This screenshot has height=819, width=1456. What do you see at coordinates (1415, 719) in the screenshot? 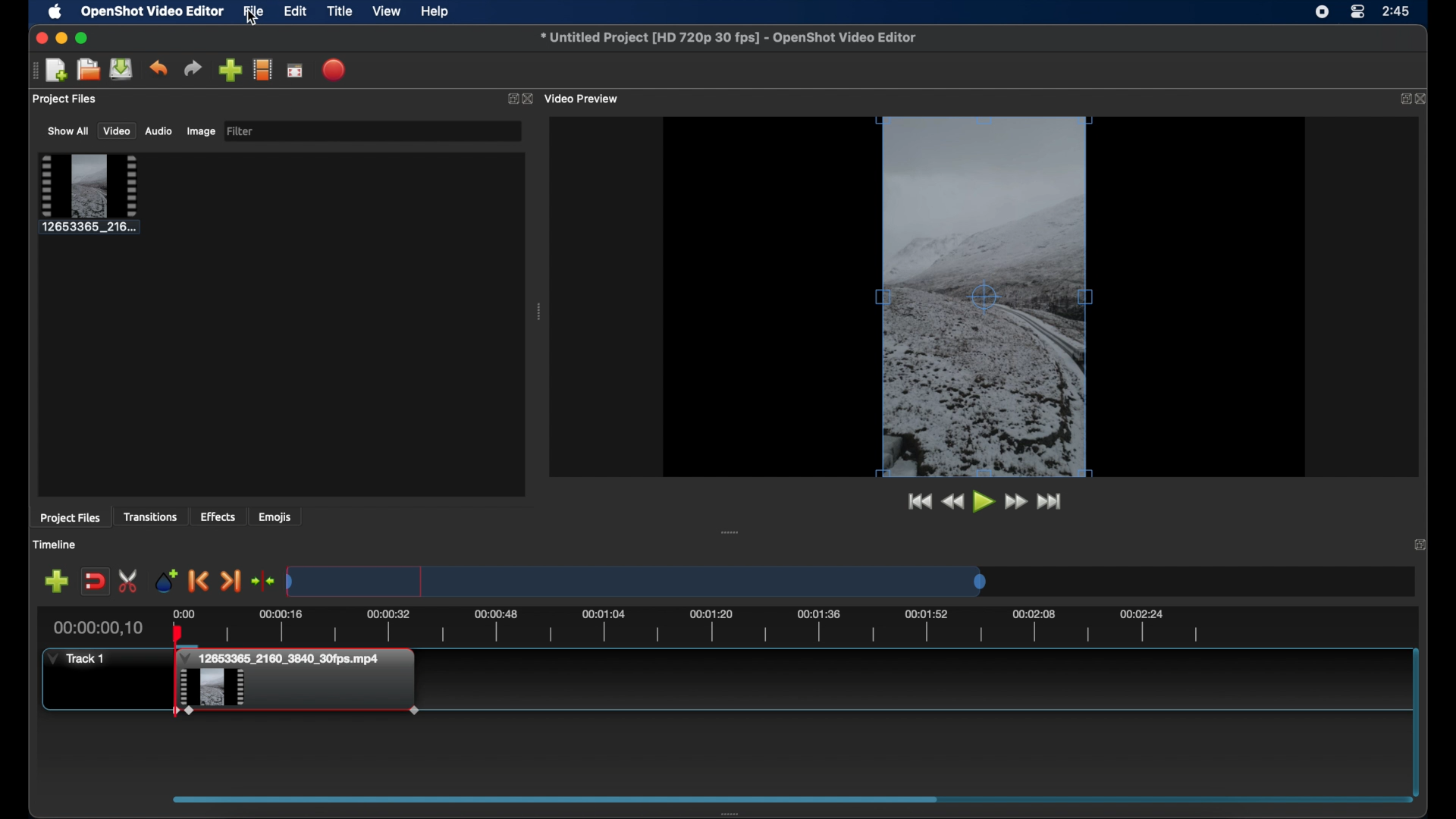
I see `scroll bar` at bounding box center [1415, 719].